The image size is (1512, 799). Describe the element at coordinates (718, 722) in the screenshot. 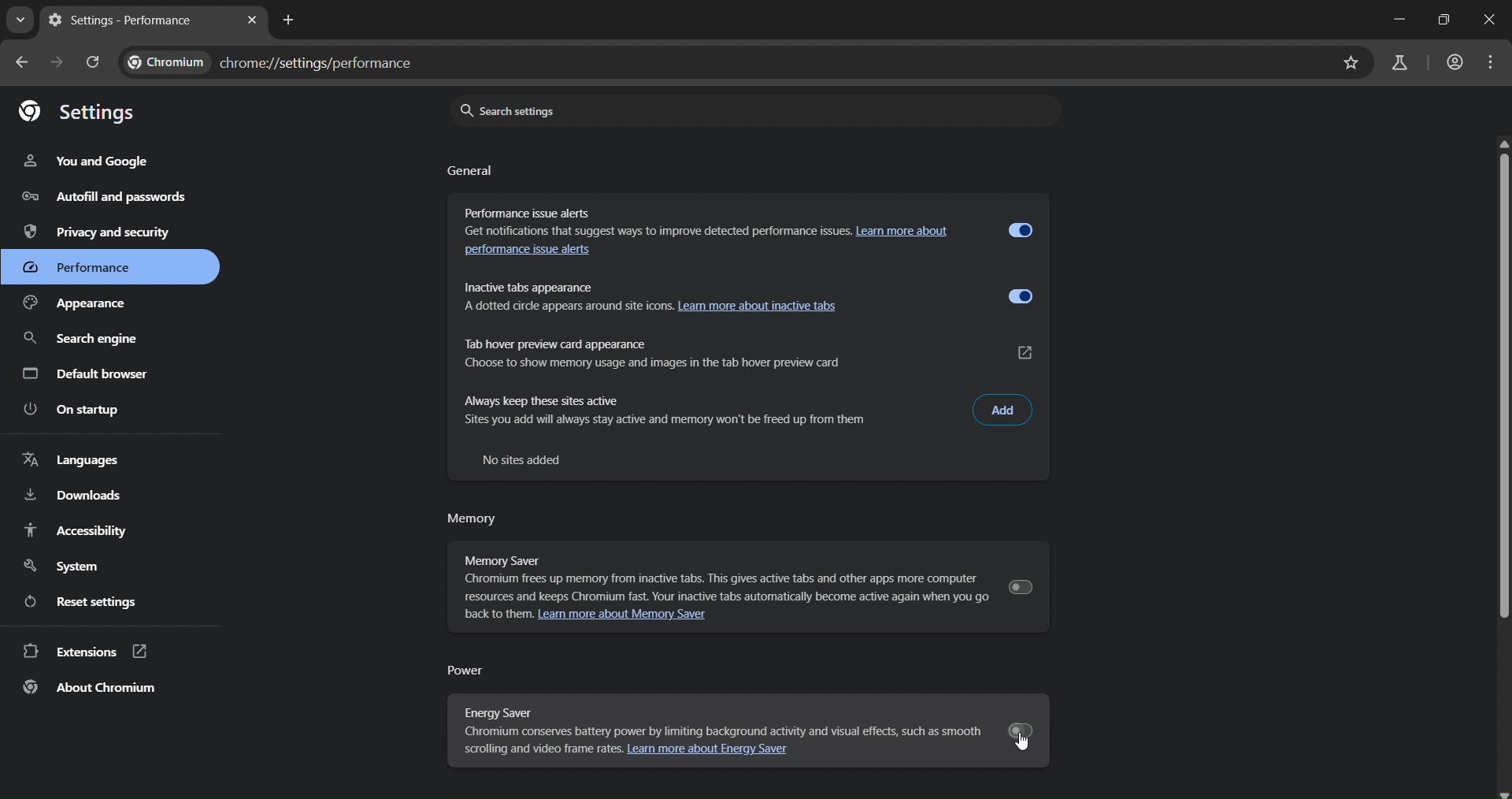

I see `energy saver` at that location.